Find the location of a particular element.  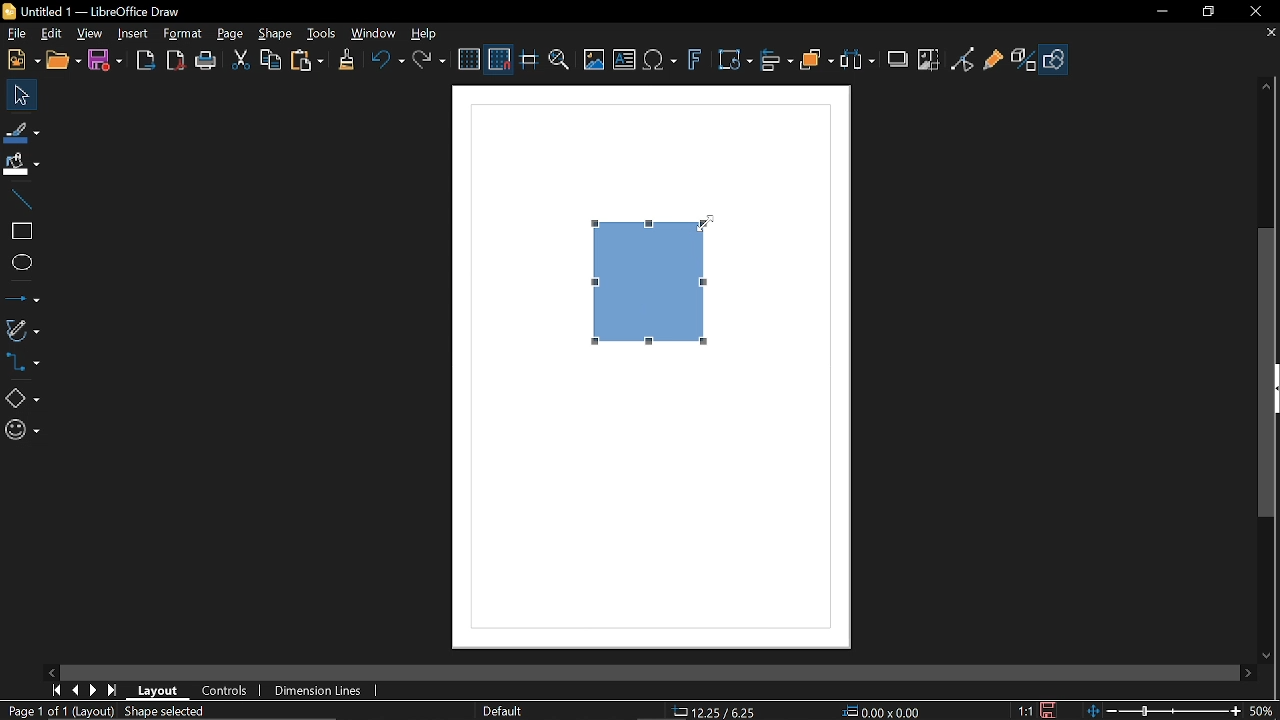

0.00x0.00 (Object Size) is located at coordinates (880, 712).